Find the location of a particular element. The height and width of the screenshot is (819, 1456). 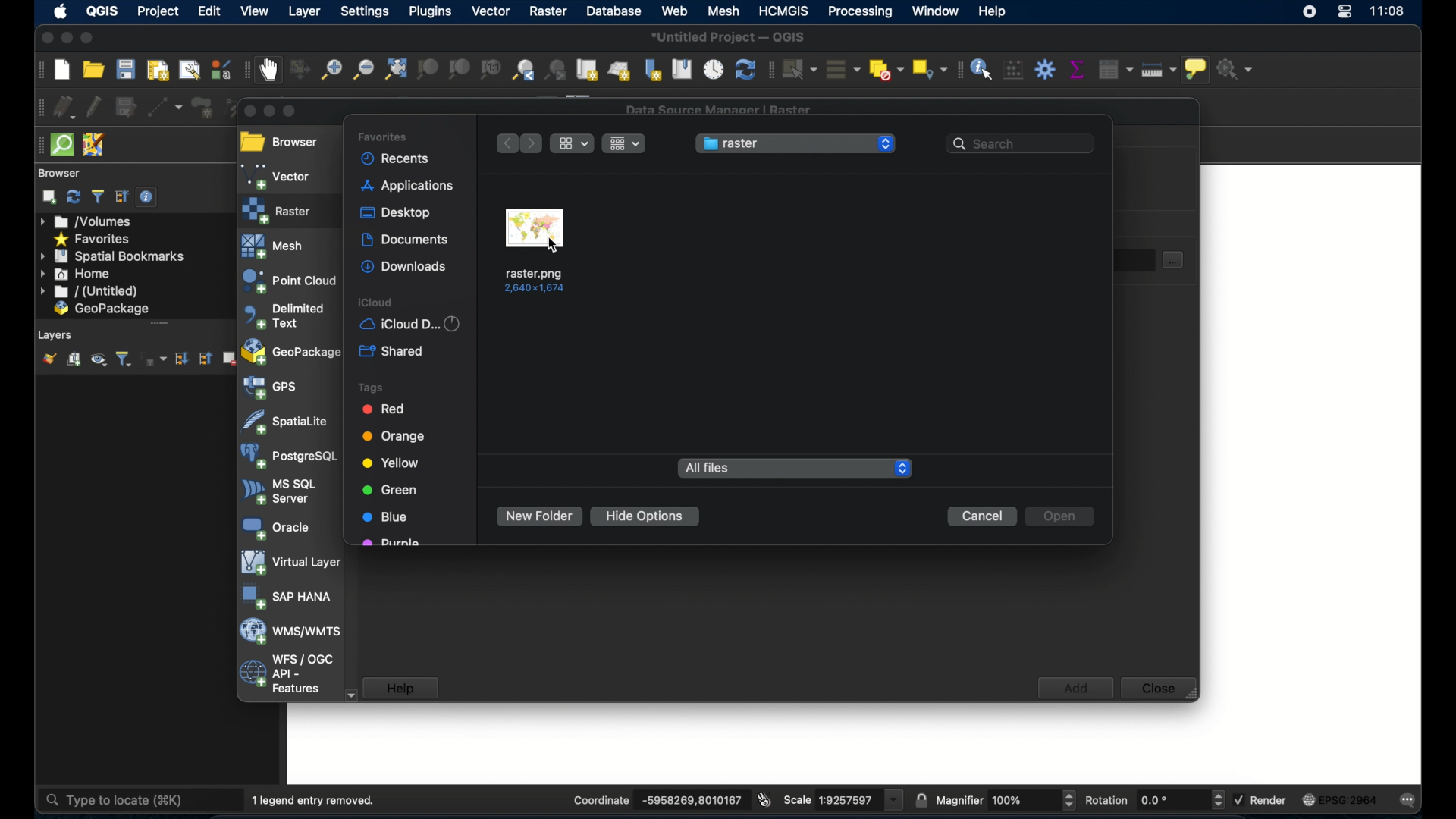

project is located at coordinates (158, 11).